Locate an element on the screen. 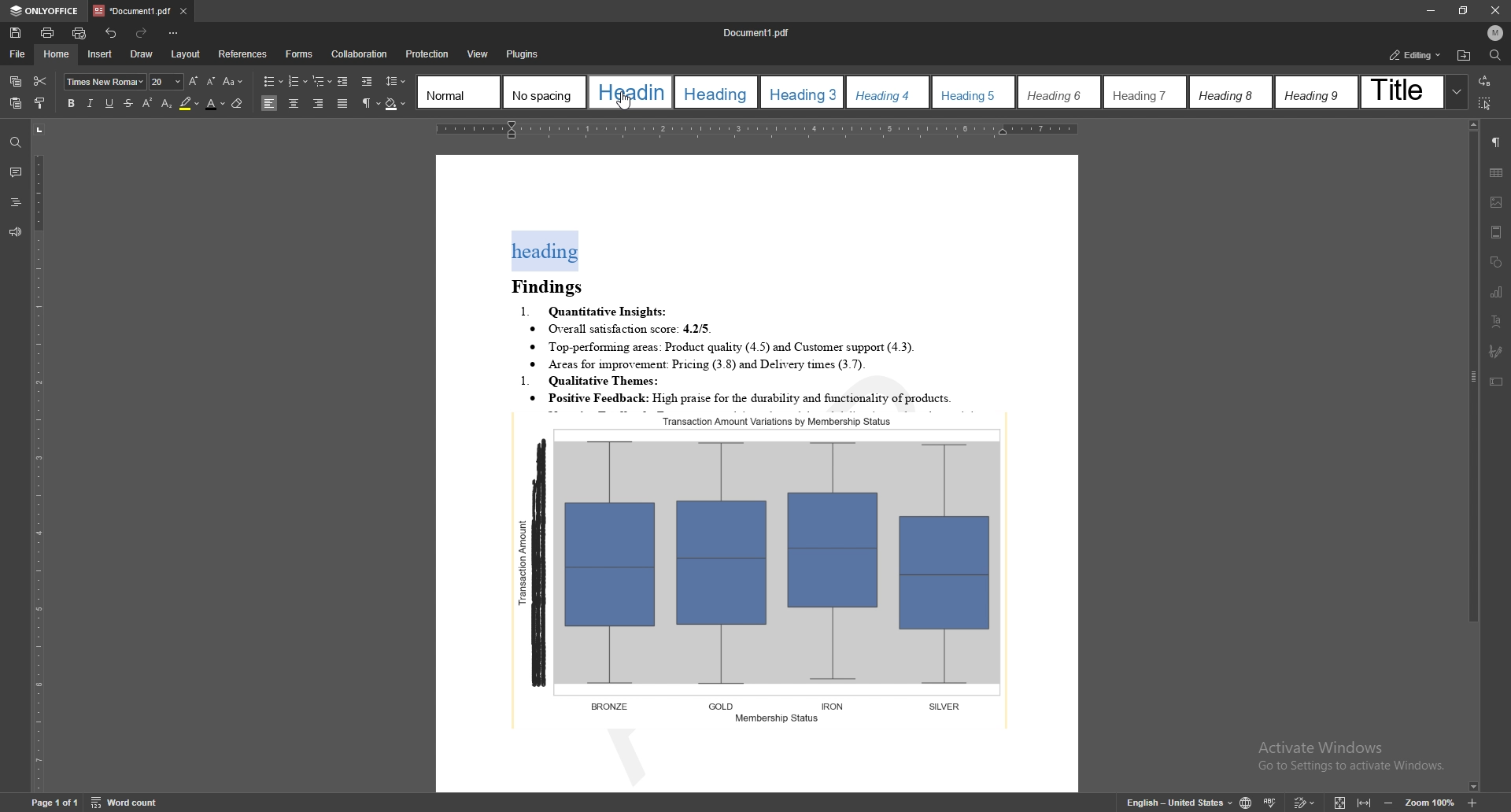  heading is located at coordinates (545, 250).